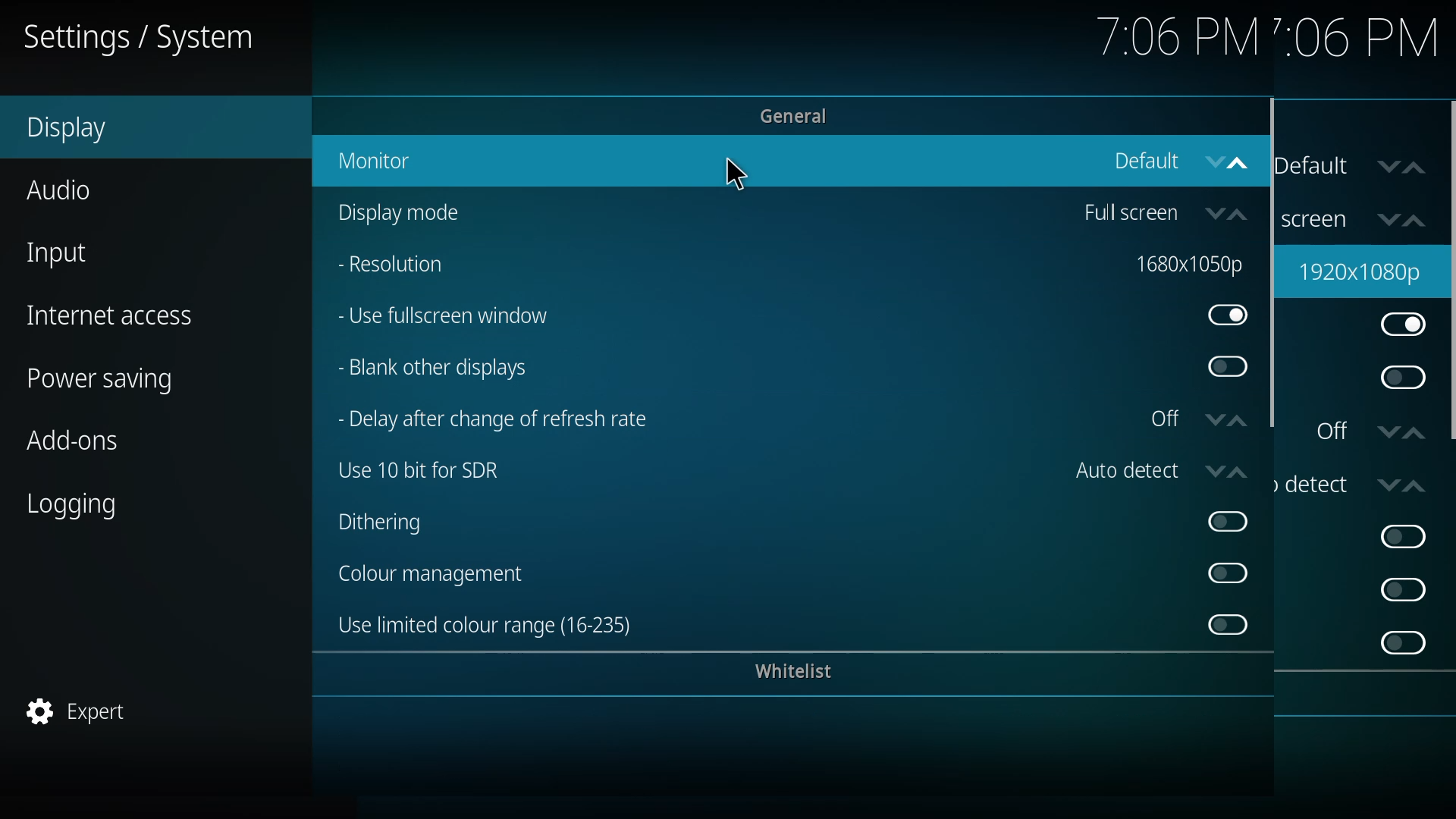  What do you see at coordinates (516, 623) in the screenshot?
I see `use limited color range` at bounding box center [516, 623].